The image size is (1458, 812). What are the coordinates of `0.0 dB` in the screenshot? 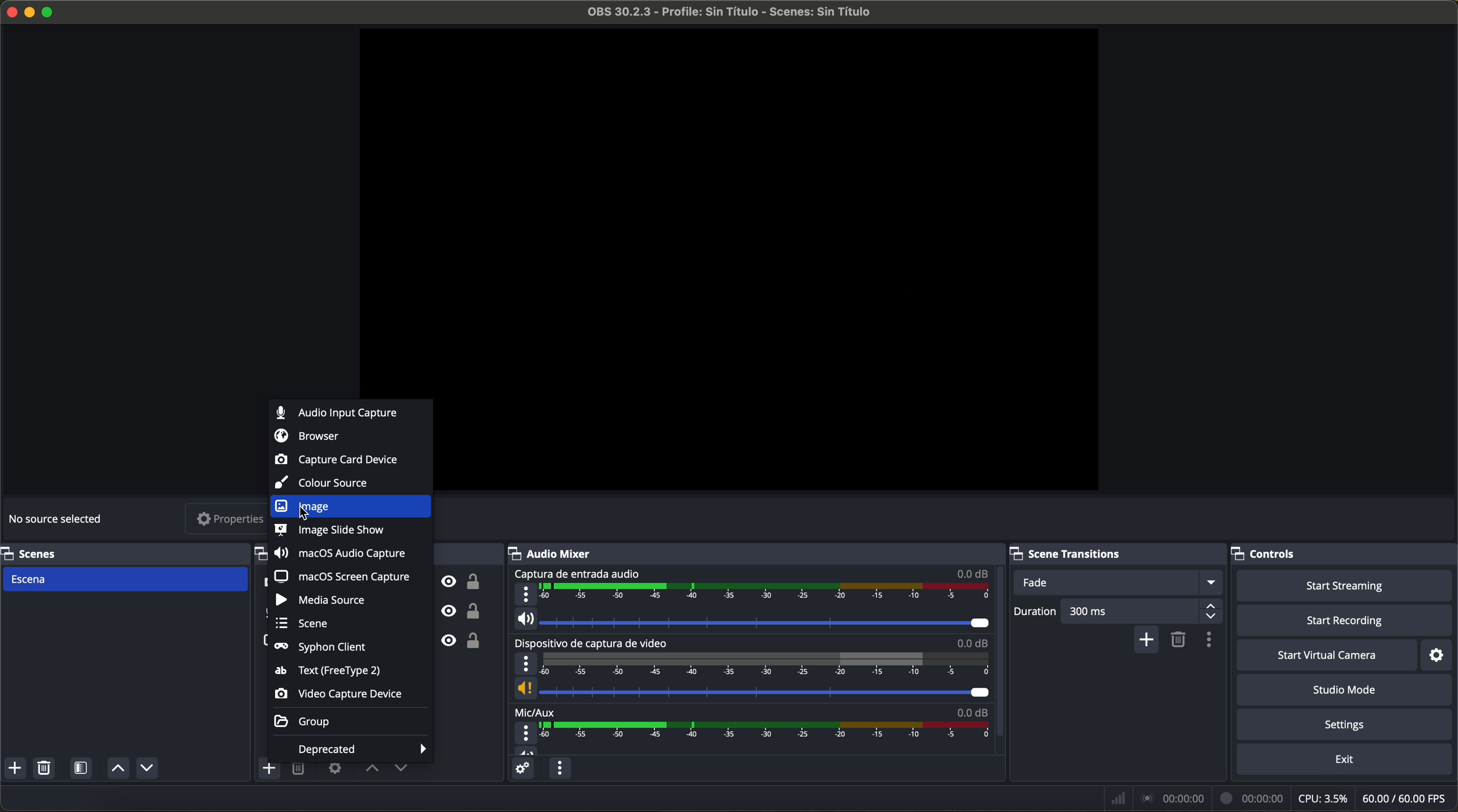 It's located at (974, 573).